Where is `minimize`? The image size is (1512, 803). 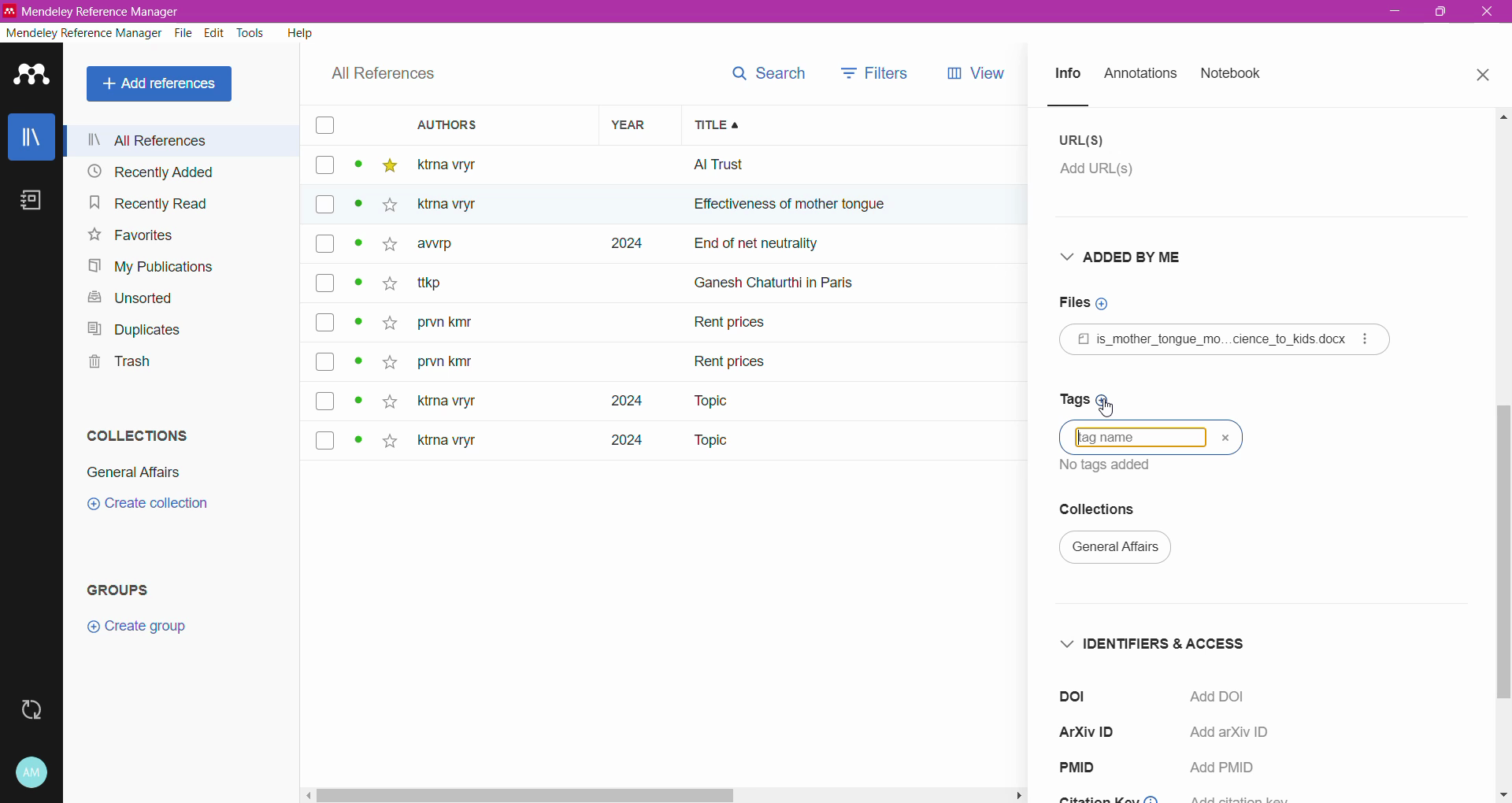
minimize is located at coordinates (1397, 13).